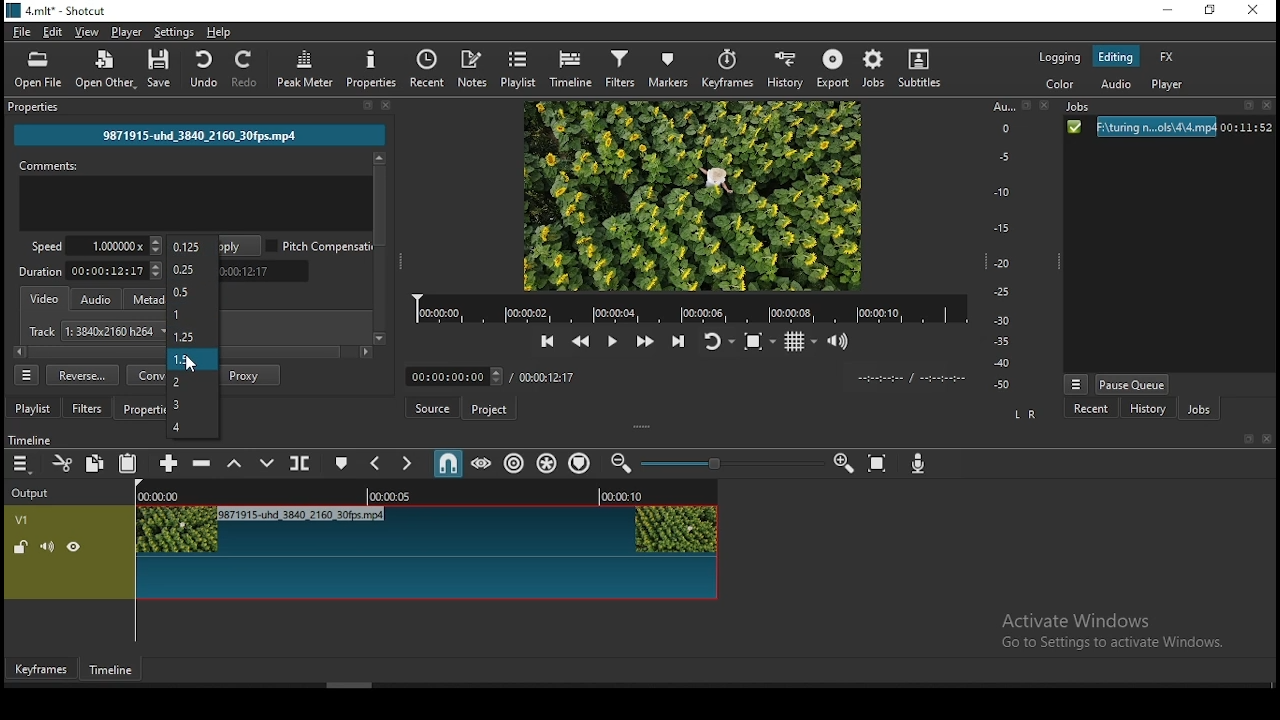  Describe the element at coordinates (434, 407) in the screenshot. I see `source` at that location.